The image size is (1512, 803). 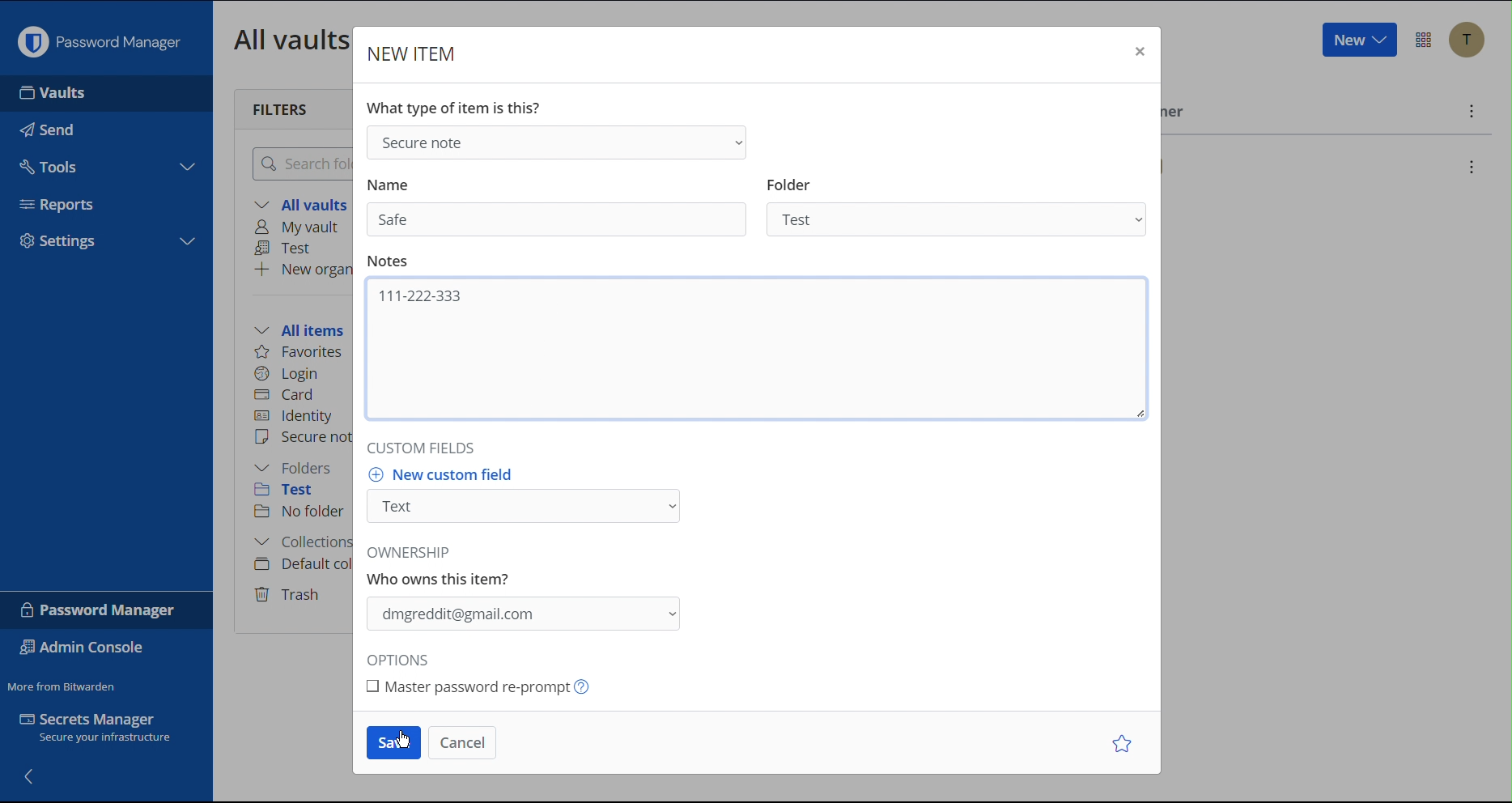 I want to click on Search Folder, so click(x=298, y=163).